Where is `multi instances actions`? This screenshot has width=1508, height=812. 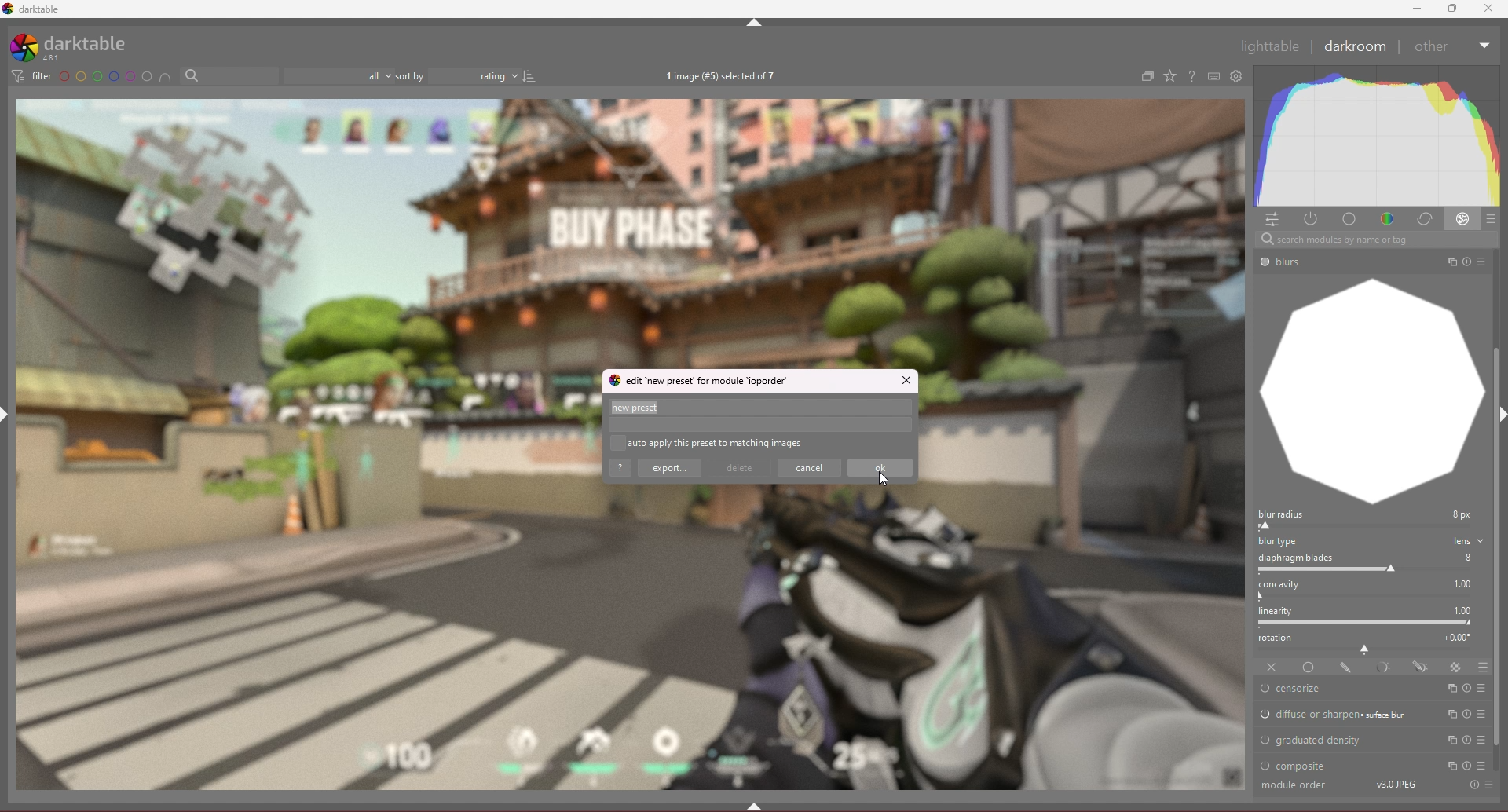 multi instances actions is located at coordinates (1448, 741).